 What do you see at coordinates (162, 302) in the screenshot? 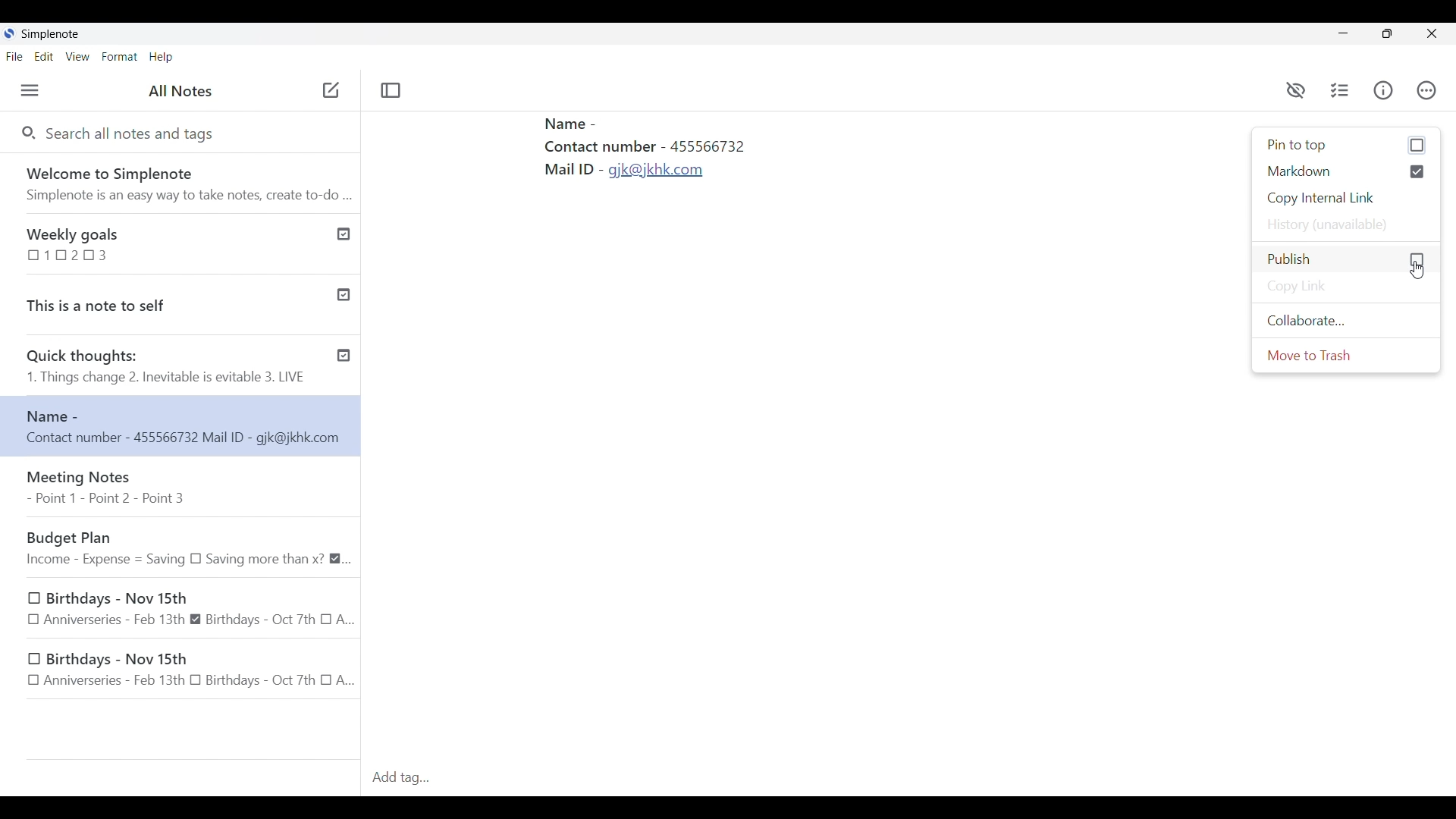
I see `This is a note to self` at bounding box center [162, 302].